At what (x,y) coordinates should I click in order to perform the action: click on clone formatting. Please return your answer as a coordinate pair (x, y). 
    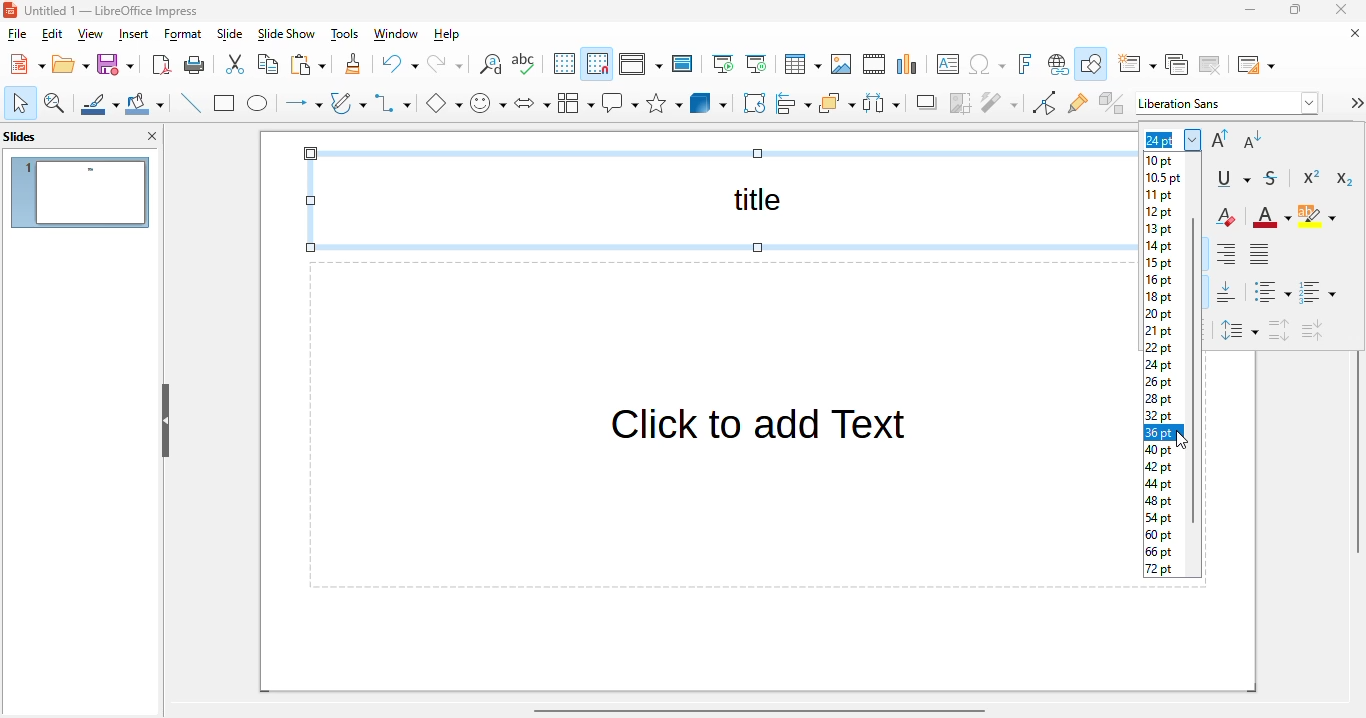
    Looking at the image, I should click on (353, 64).